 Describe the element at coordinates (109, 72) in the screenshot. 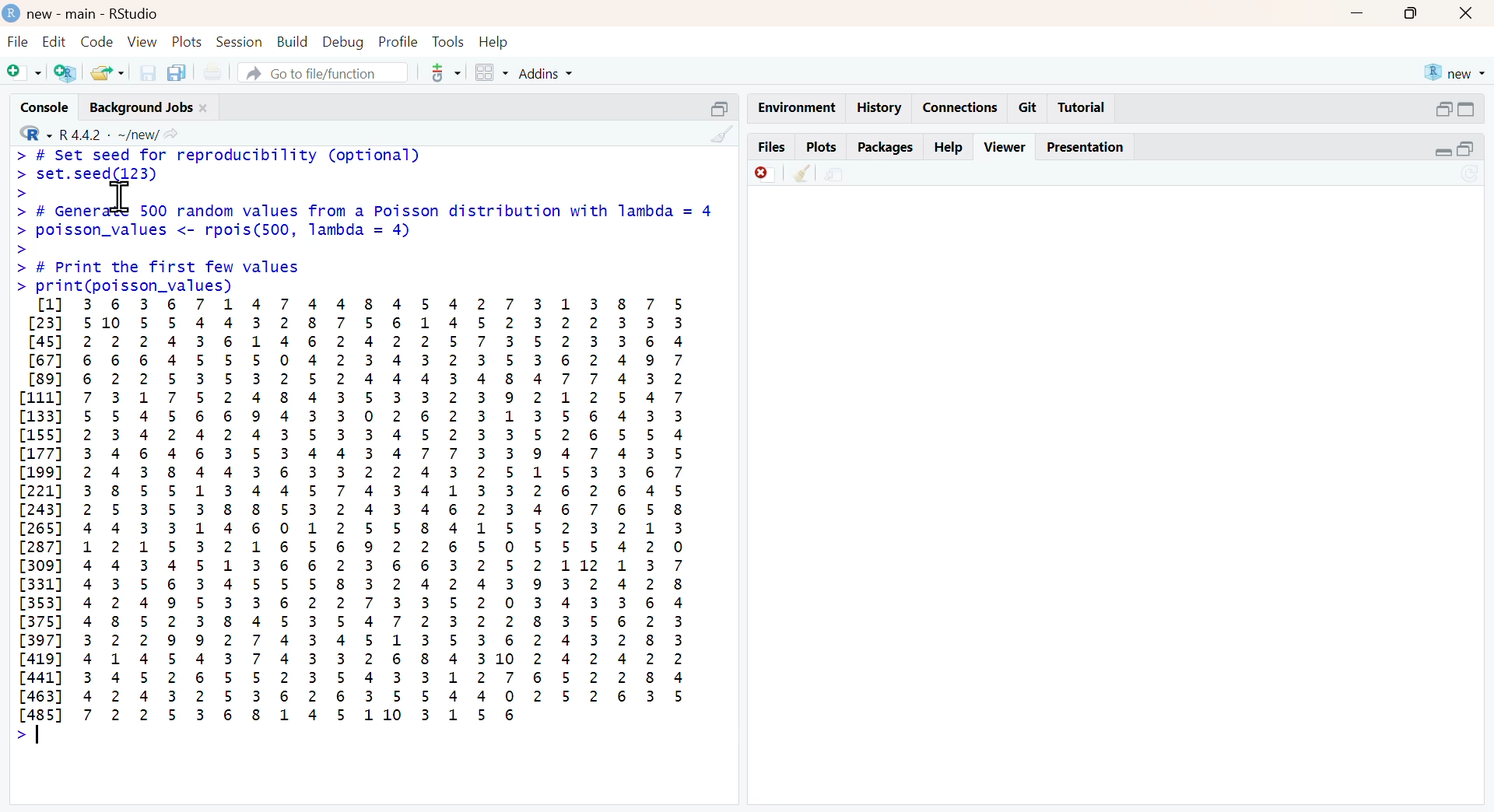

I see `share folder as` at that location.